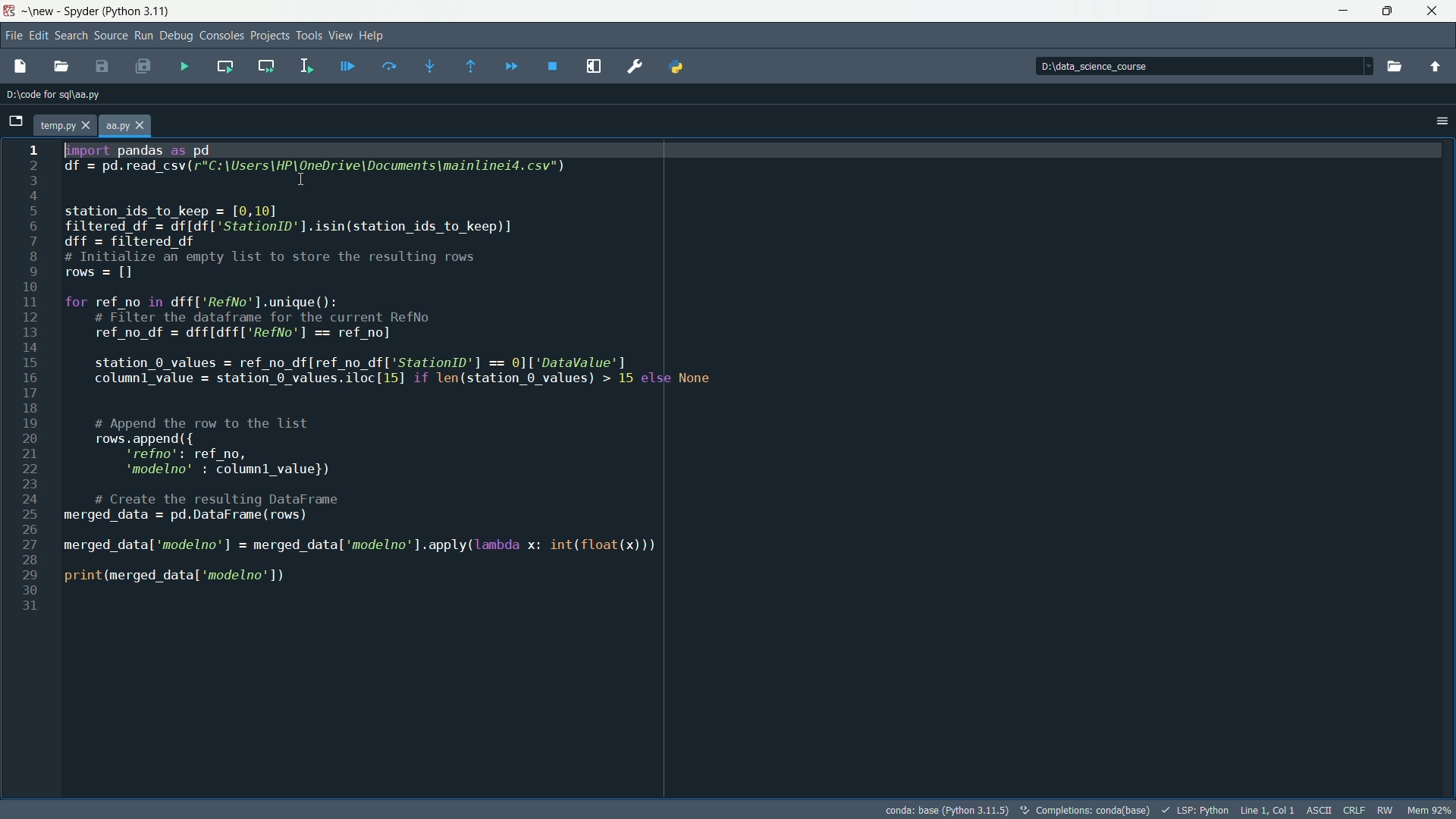 The width and height of the screenshot is (1456, 819). Describe the element at coordinates (373, 35) in the screenshot. I see `help menu` at that location.